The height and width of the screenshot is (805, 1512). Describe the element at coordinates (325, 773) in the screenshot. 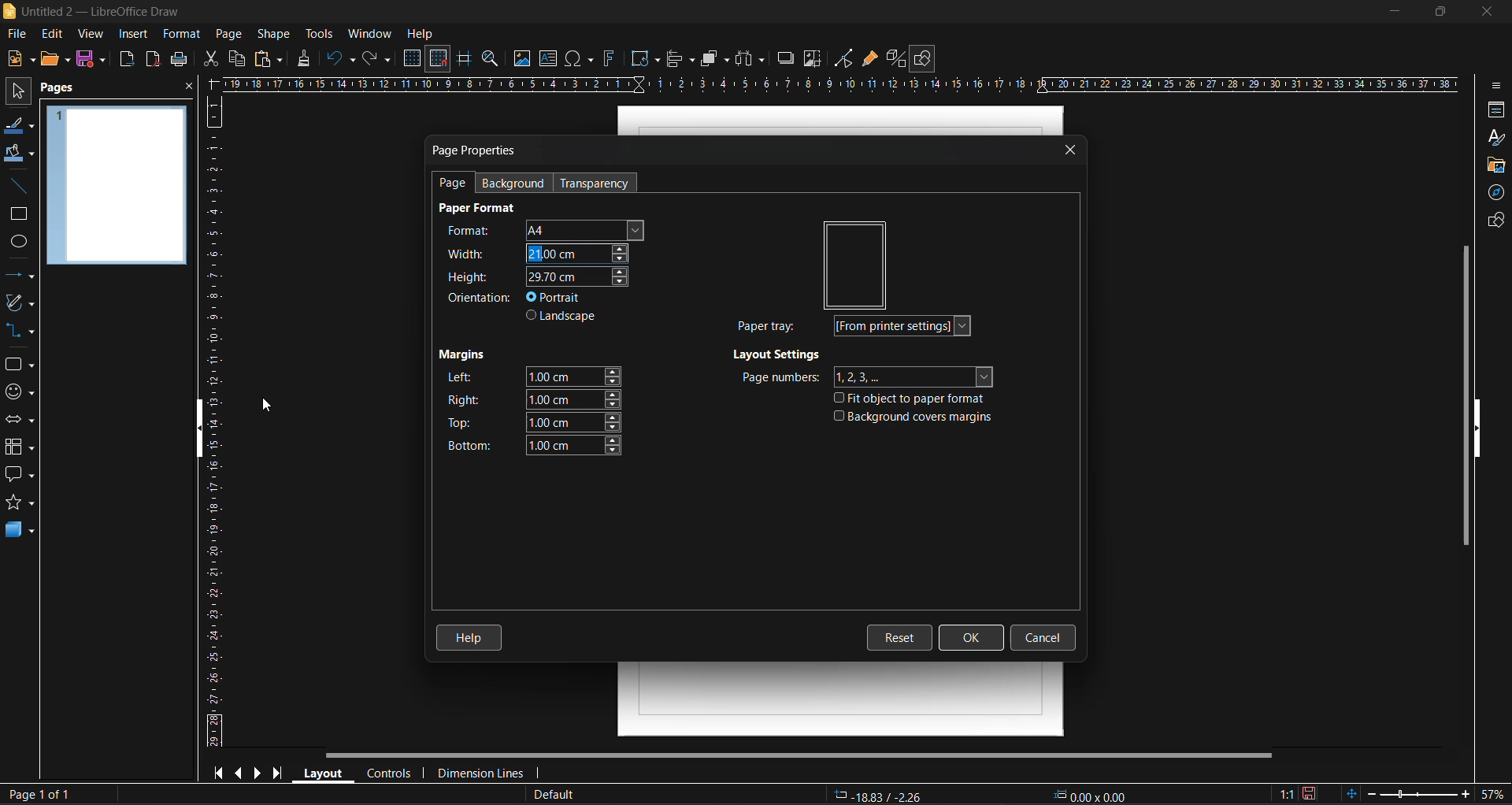

I see `layout` at that location.